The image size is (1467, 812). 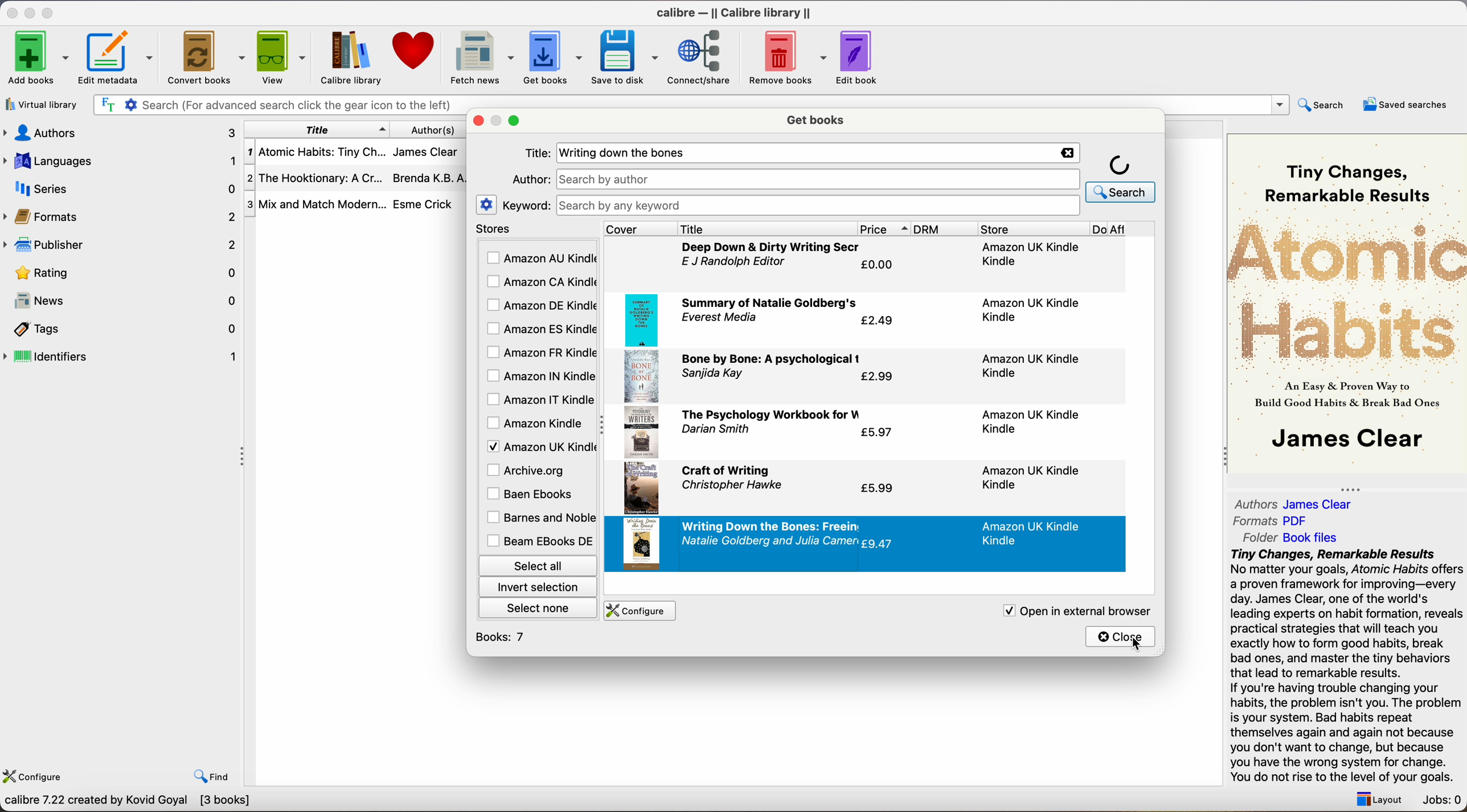 What do you see at coordinates (736, 263) in the screenshot?
I see `E J Randolph Editor ` at bounding box center [736, 263].